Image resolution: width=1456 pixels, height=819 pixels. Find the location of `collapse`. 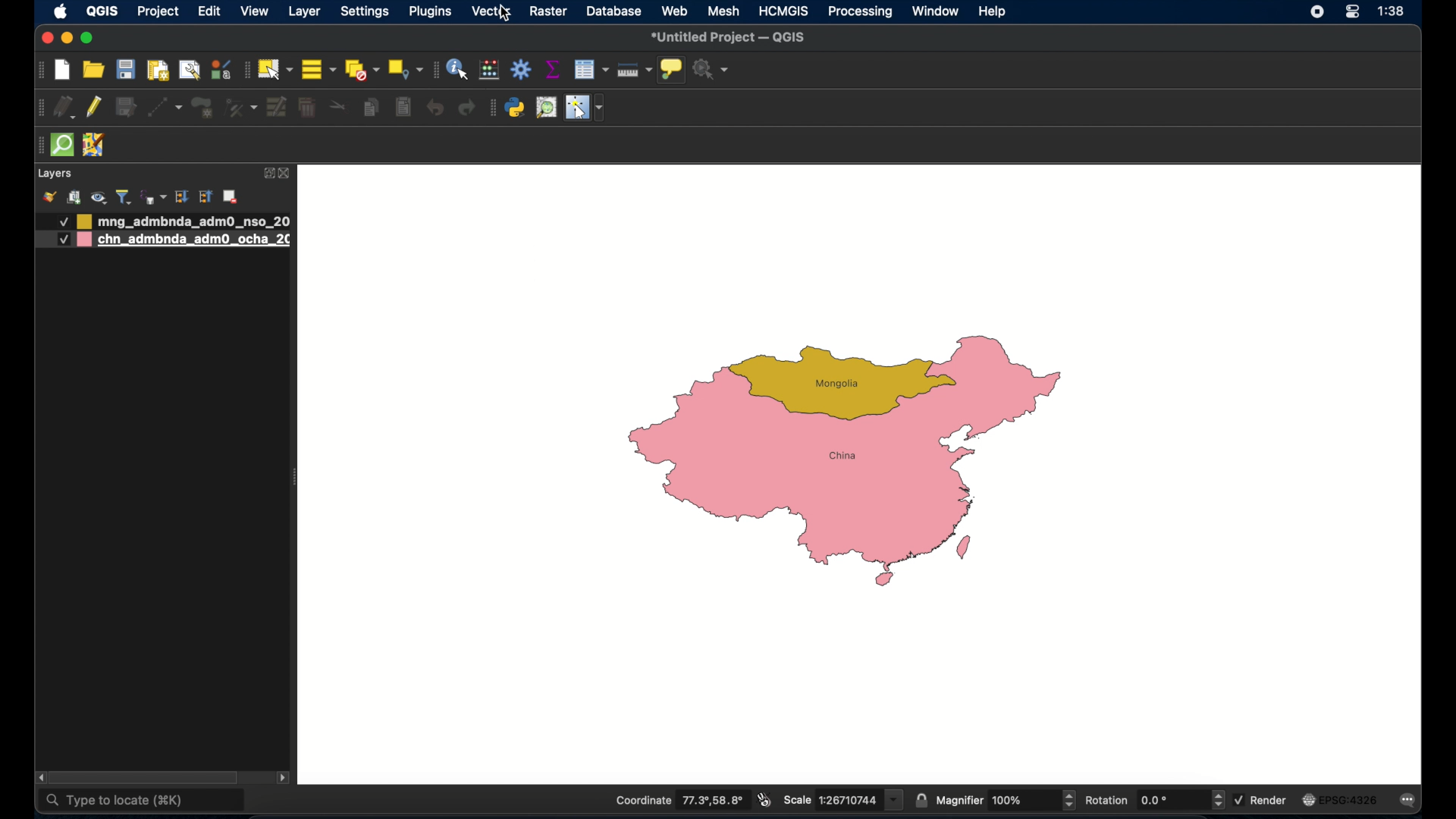

collapse is located at coordinates (205, 197).